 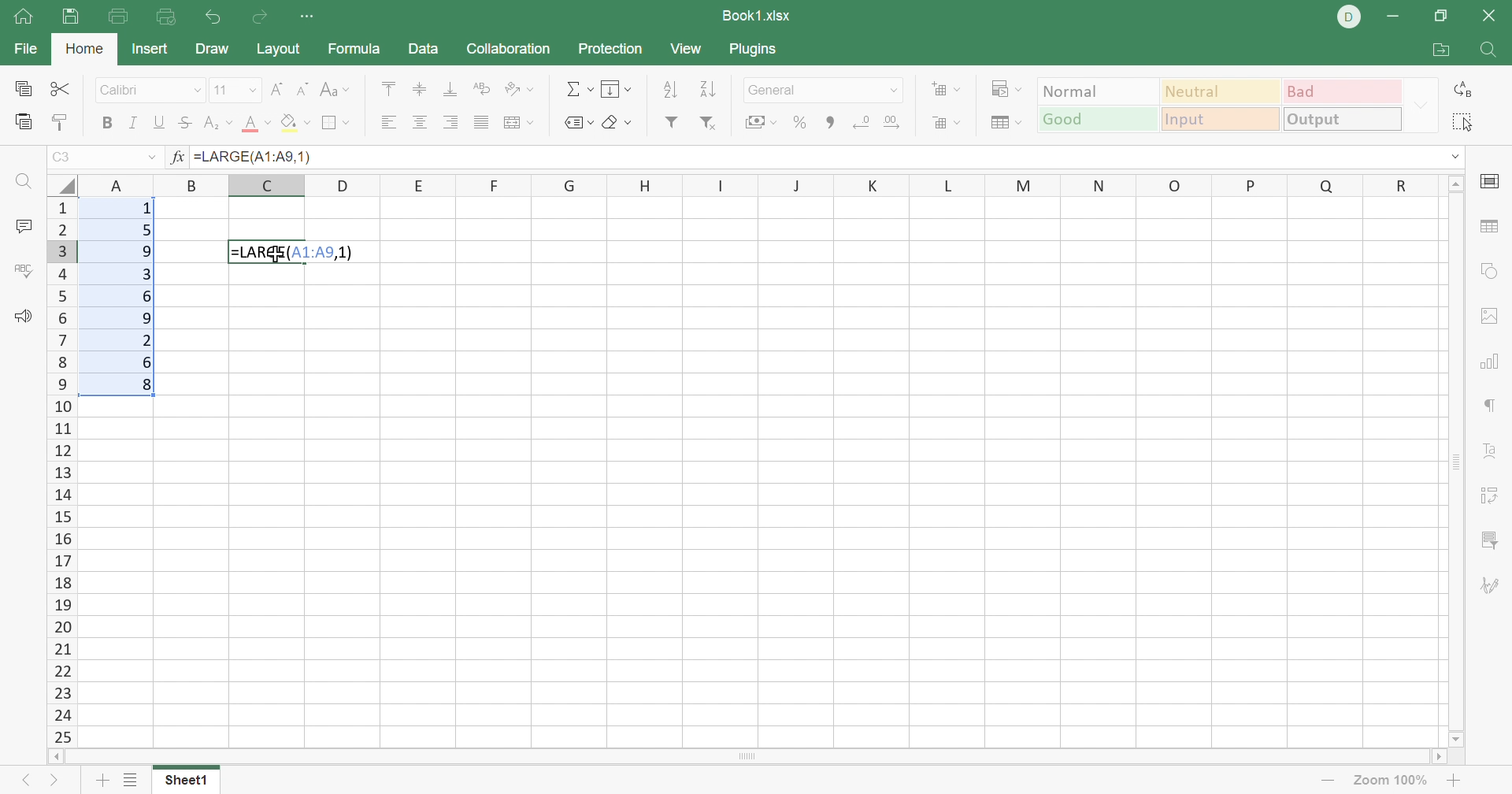 I want to click on Strikethrough, so click(x=182, y=123).